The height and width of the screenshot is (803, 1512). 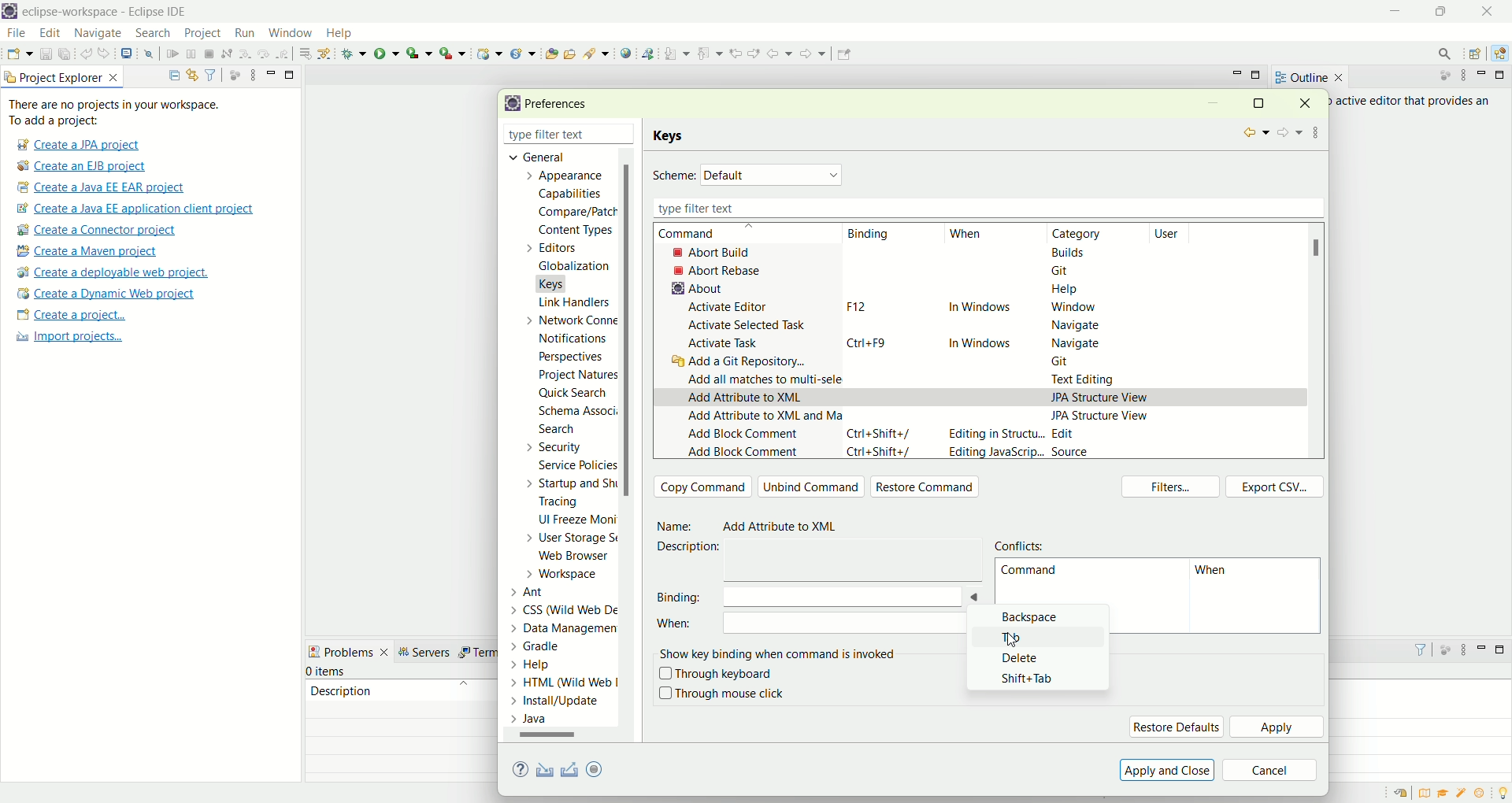 I want to click on content types, so click(x=571, y=231).